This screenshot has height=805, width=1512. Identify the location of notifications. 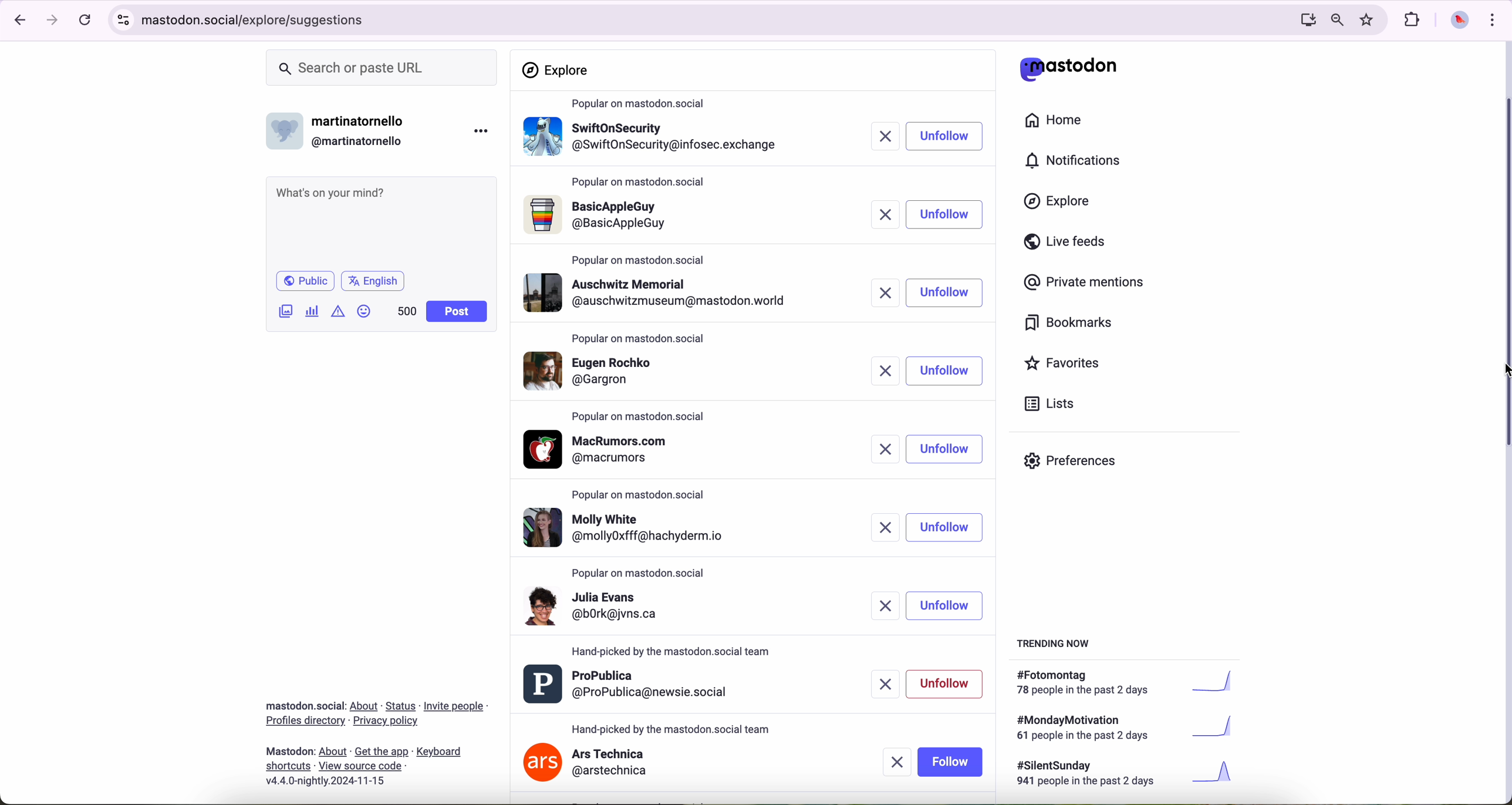
(1078, 161).